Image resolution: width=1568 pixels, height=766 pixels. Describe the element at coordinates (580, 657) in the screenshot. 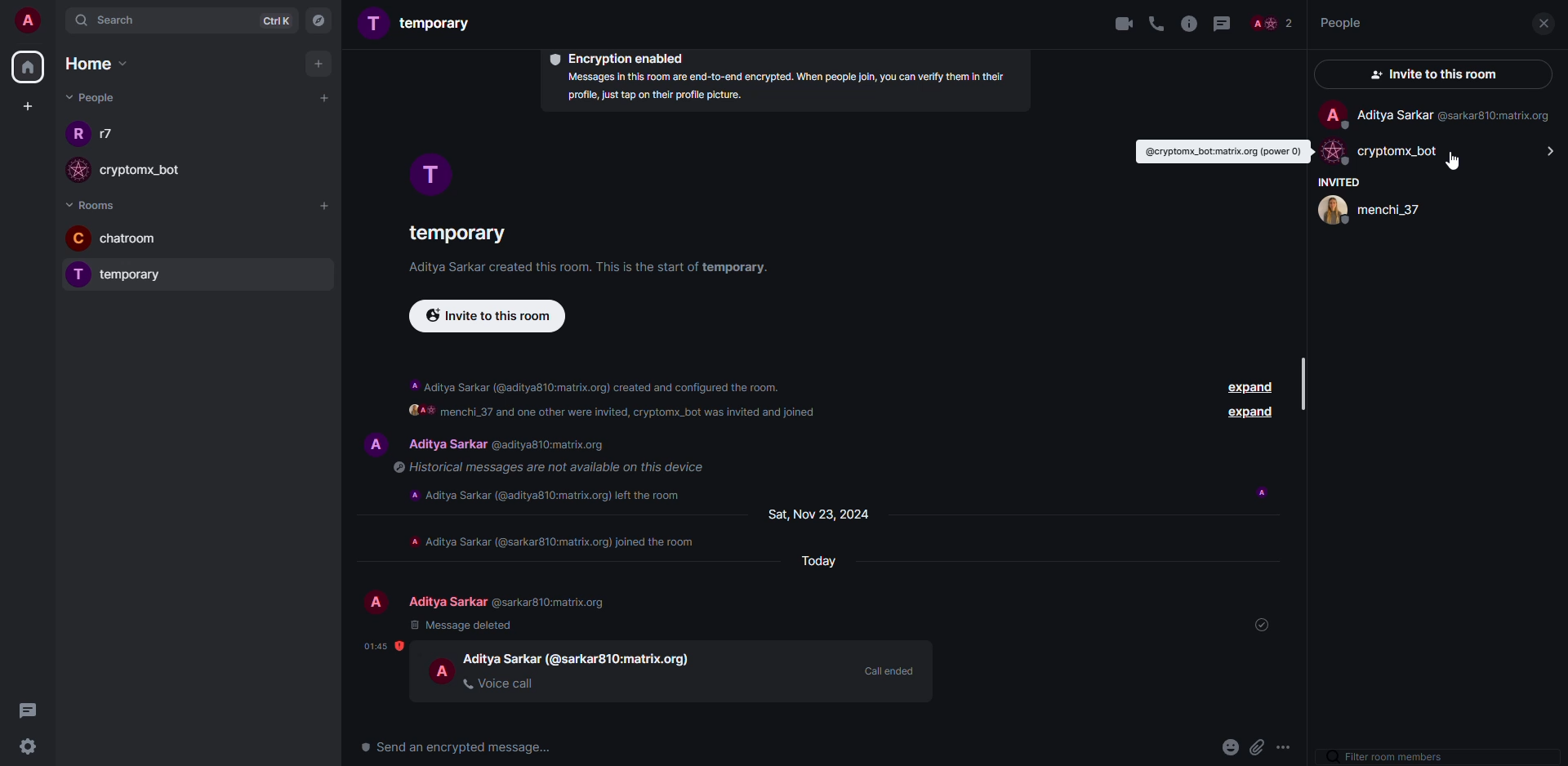

I see `people` at that location.